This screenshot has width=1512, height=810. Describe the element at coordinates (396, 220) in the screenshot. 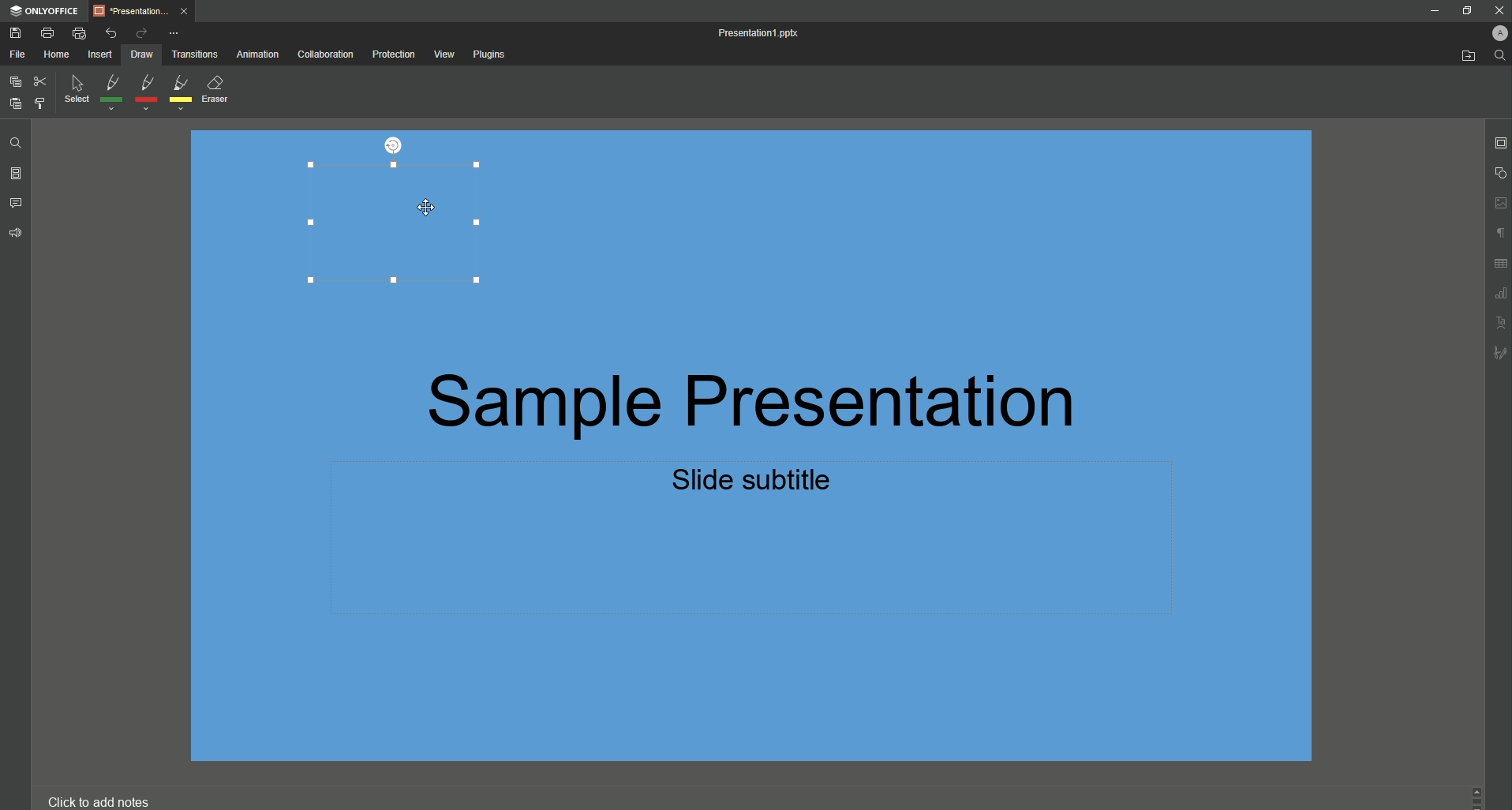

I see `Rectangle` at that location.